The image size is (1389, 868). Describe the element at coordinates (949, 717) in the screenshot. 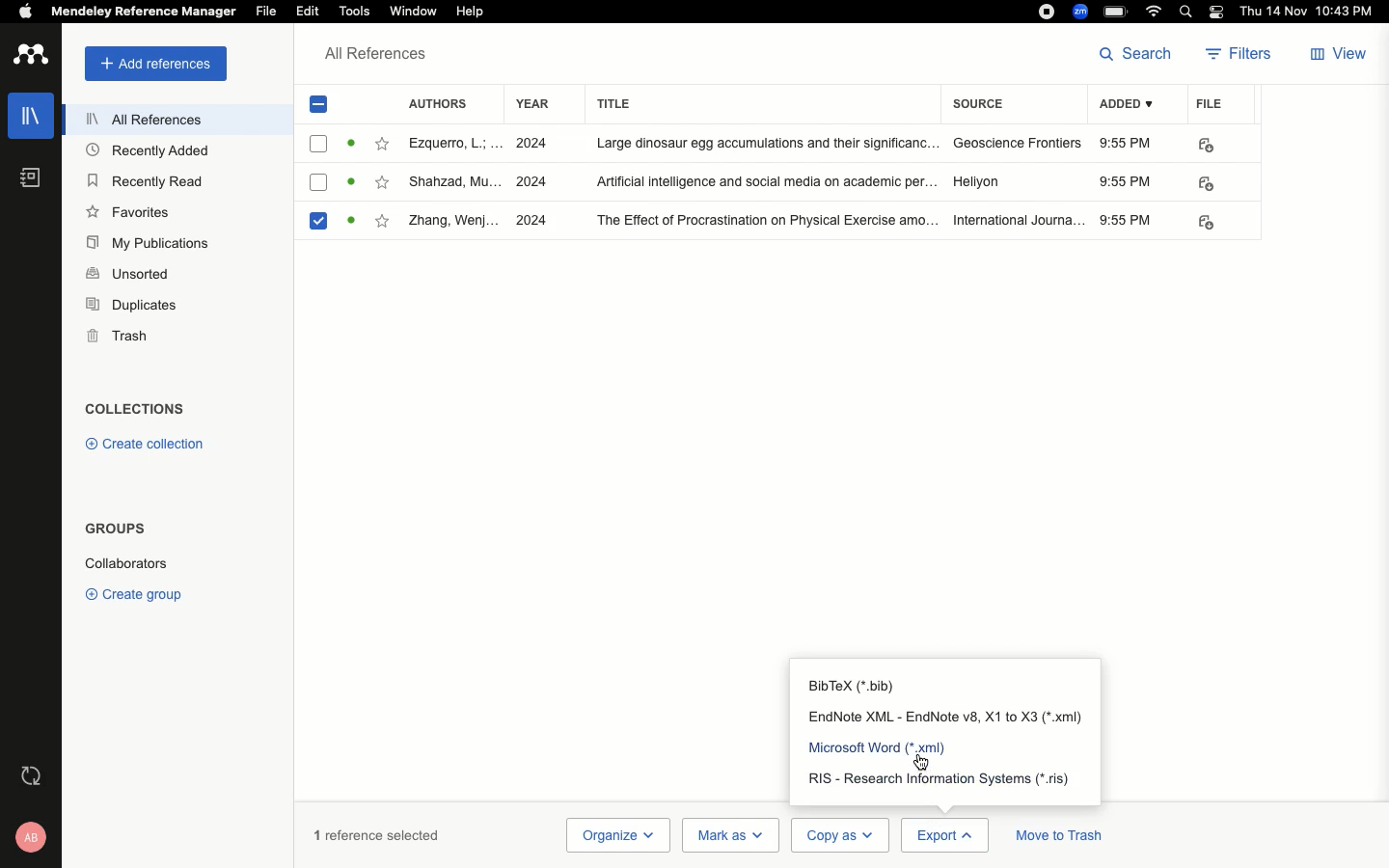

I see `Endnote xml` at that location.